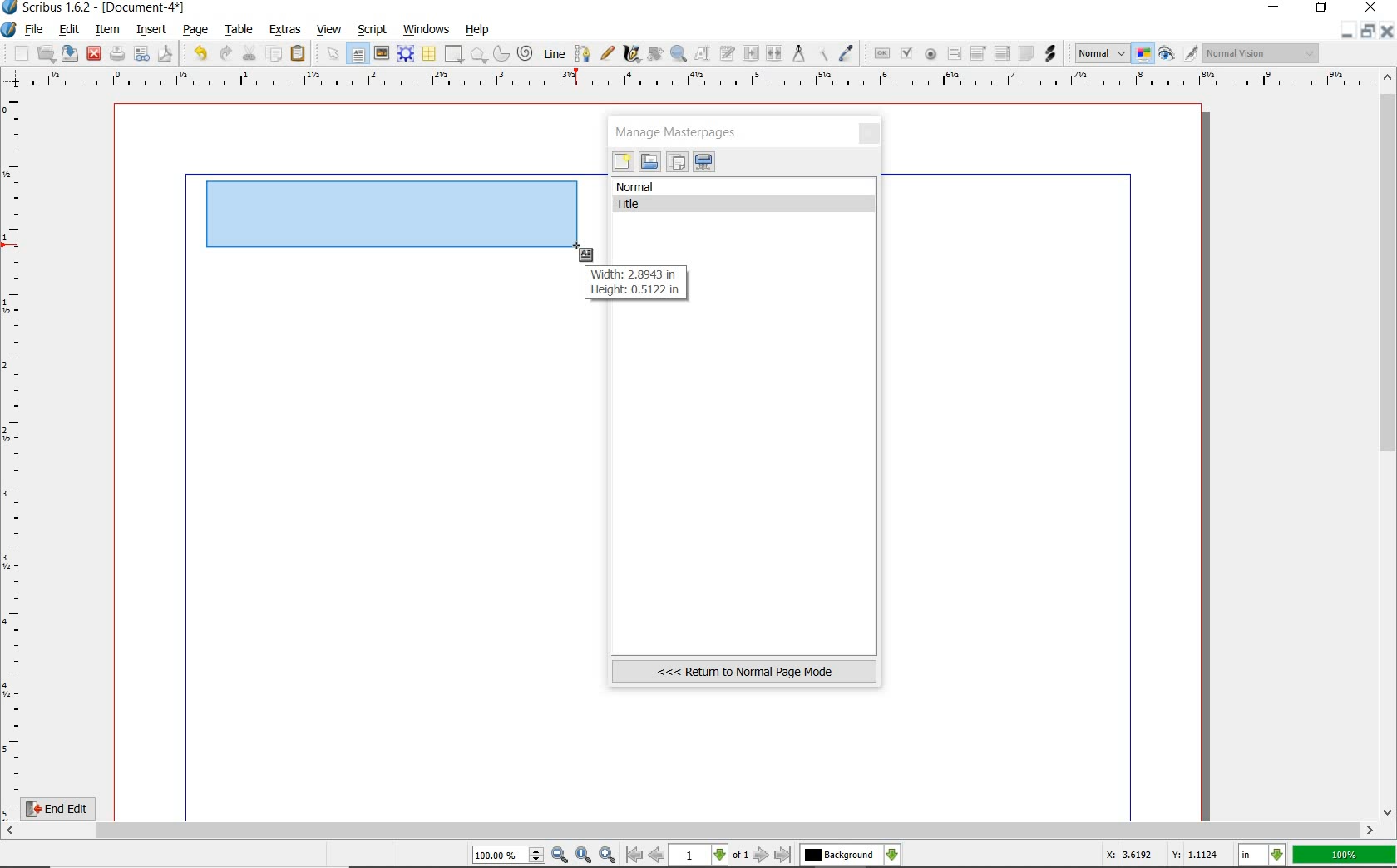 This screenshot has width=1397, height=868. I want to click on table, so click(428, 54).